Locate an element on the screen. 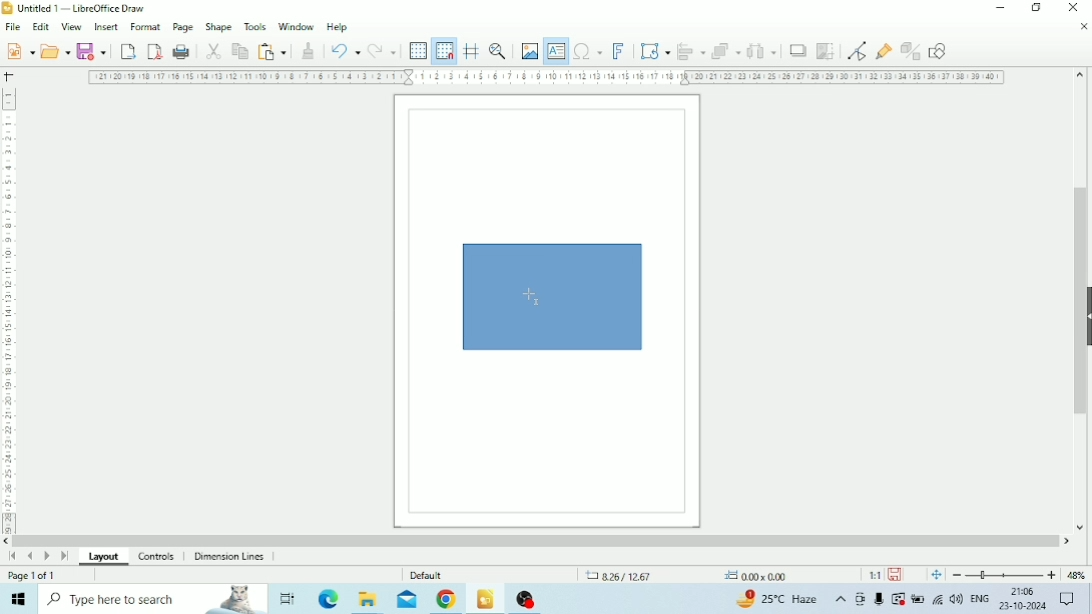 This screenshot has width=1092, height=614. File Explorer is located at coordinates (367, 600).